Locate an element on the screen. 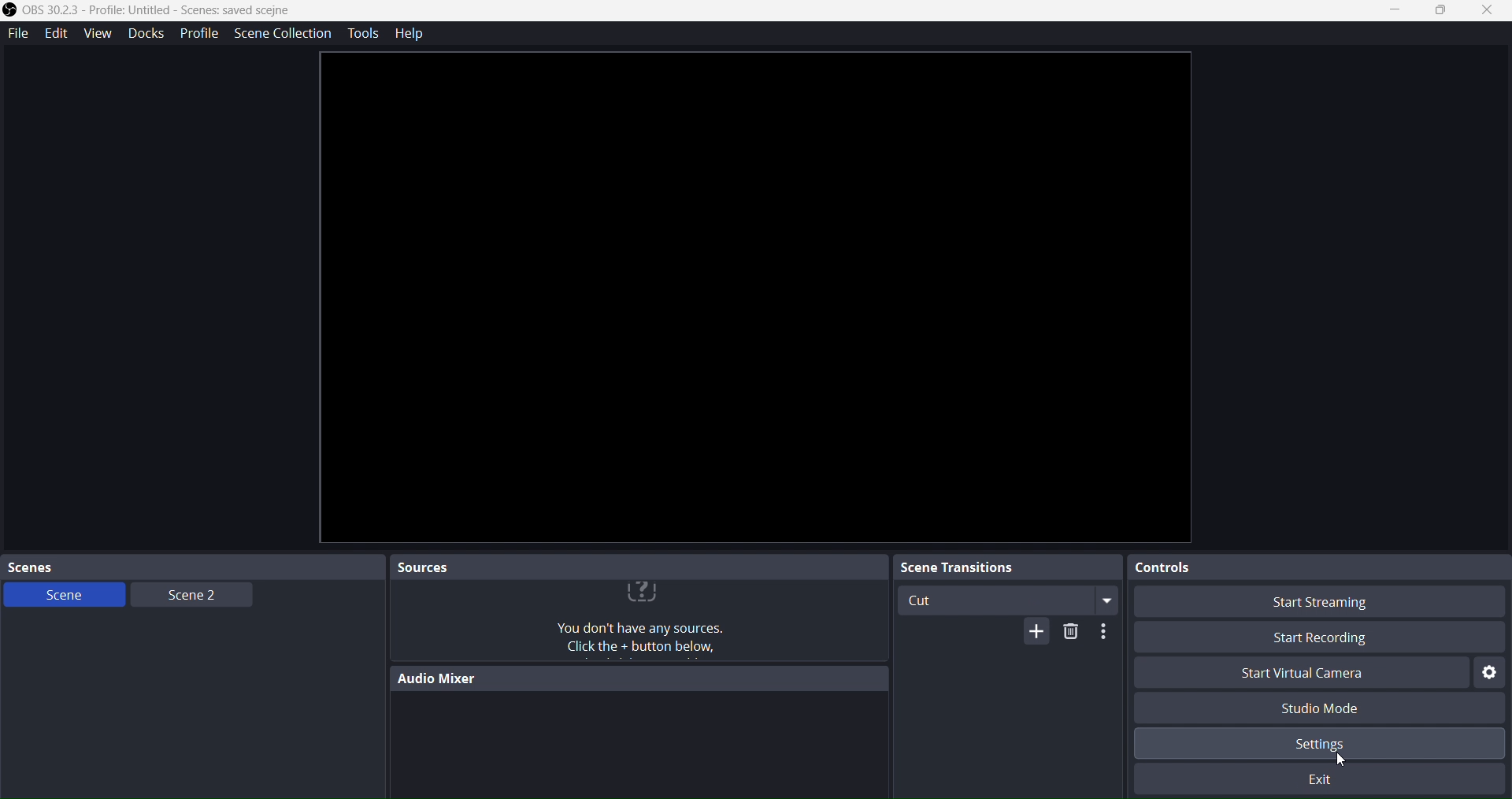  Scene2 is located at coordinates (186, 594).